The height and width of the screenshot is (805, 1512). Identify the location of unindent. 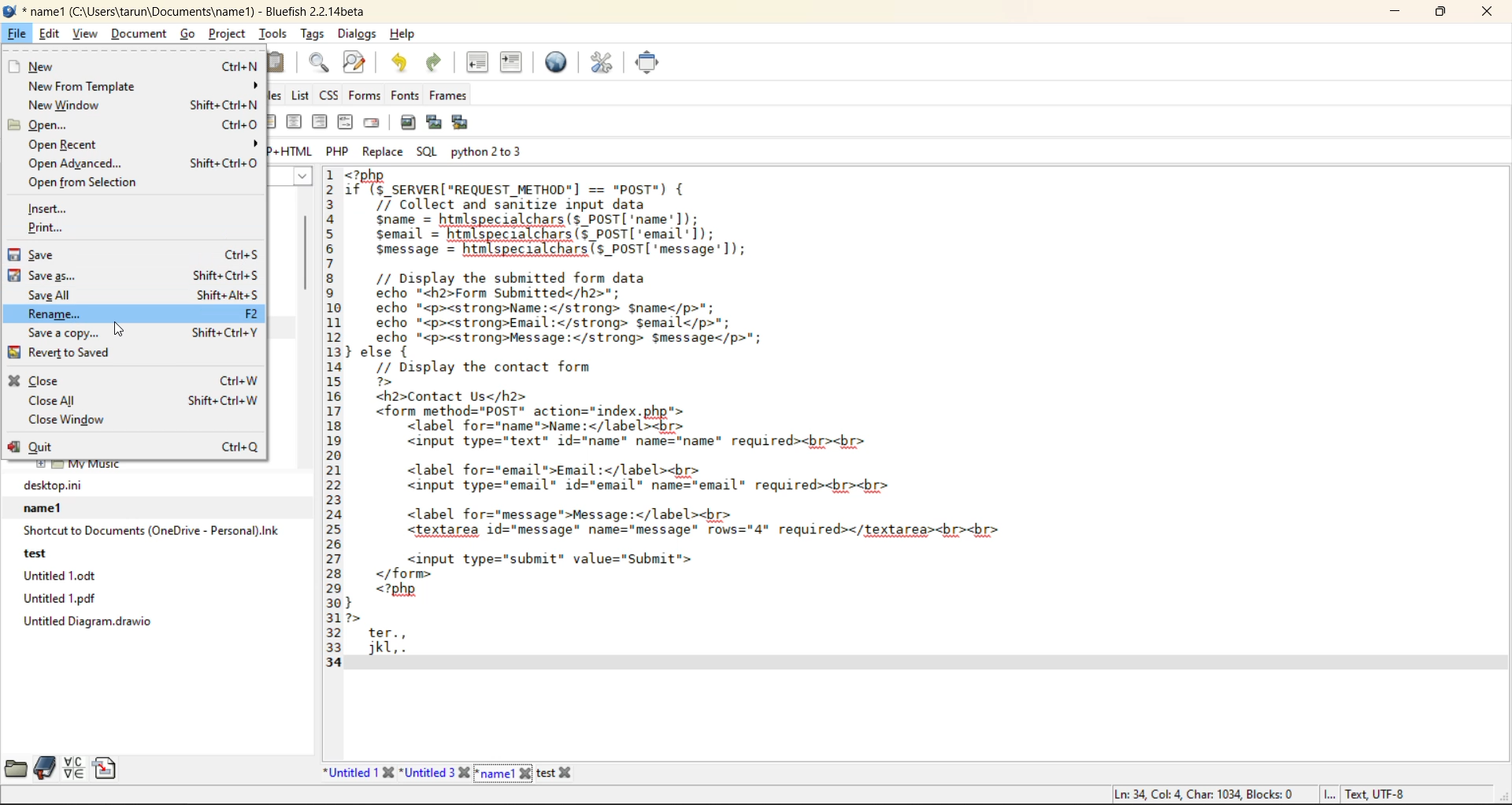
(478, 65).